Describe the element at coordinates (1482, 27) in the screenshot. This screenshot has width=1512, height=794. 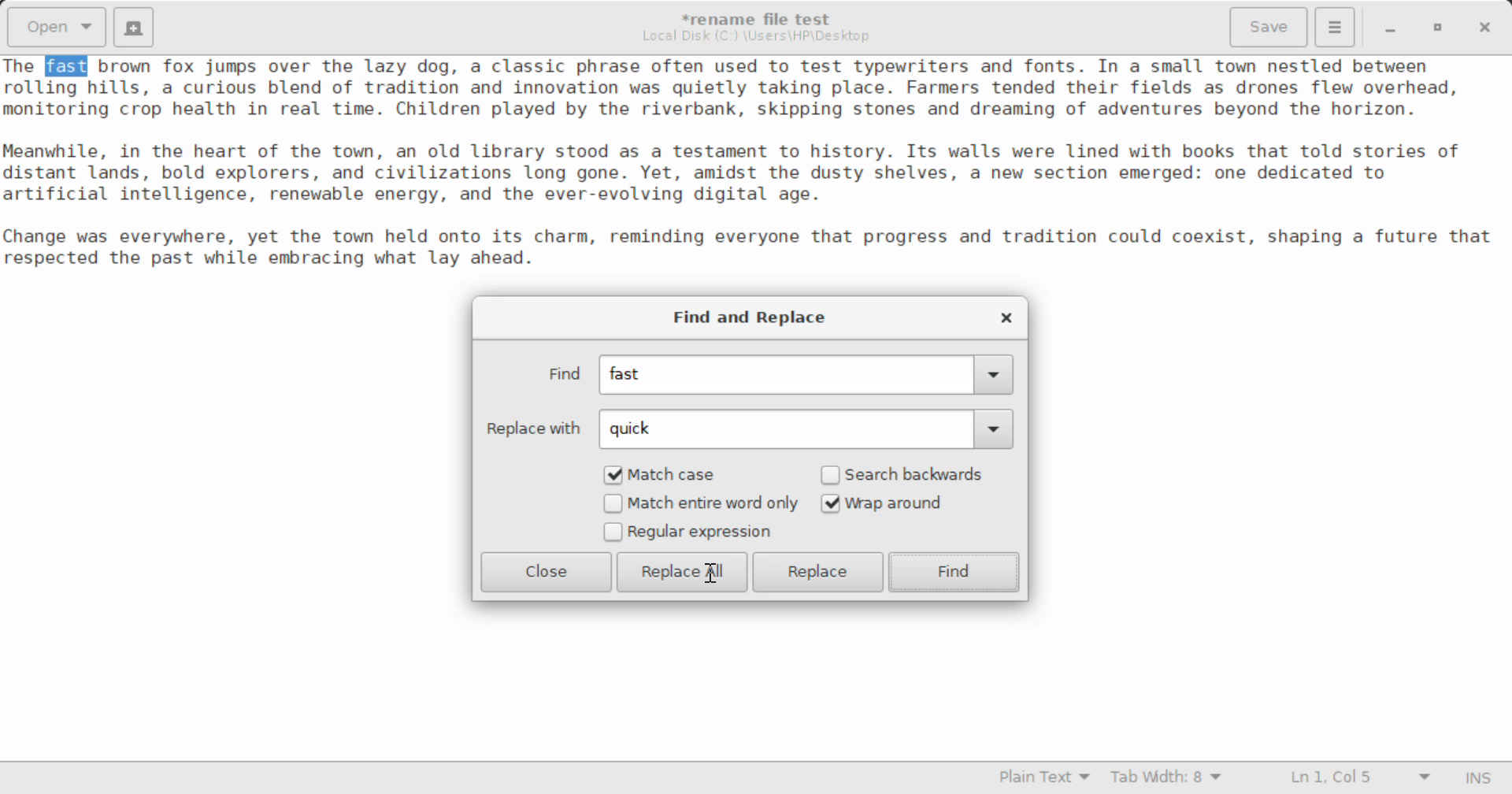
I see `Close Window` at that location.